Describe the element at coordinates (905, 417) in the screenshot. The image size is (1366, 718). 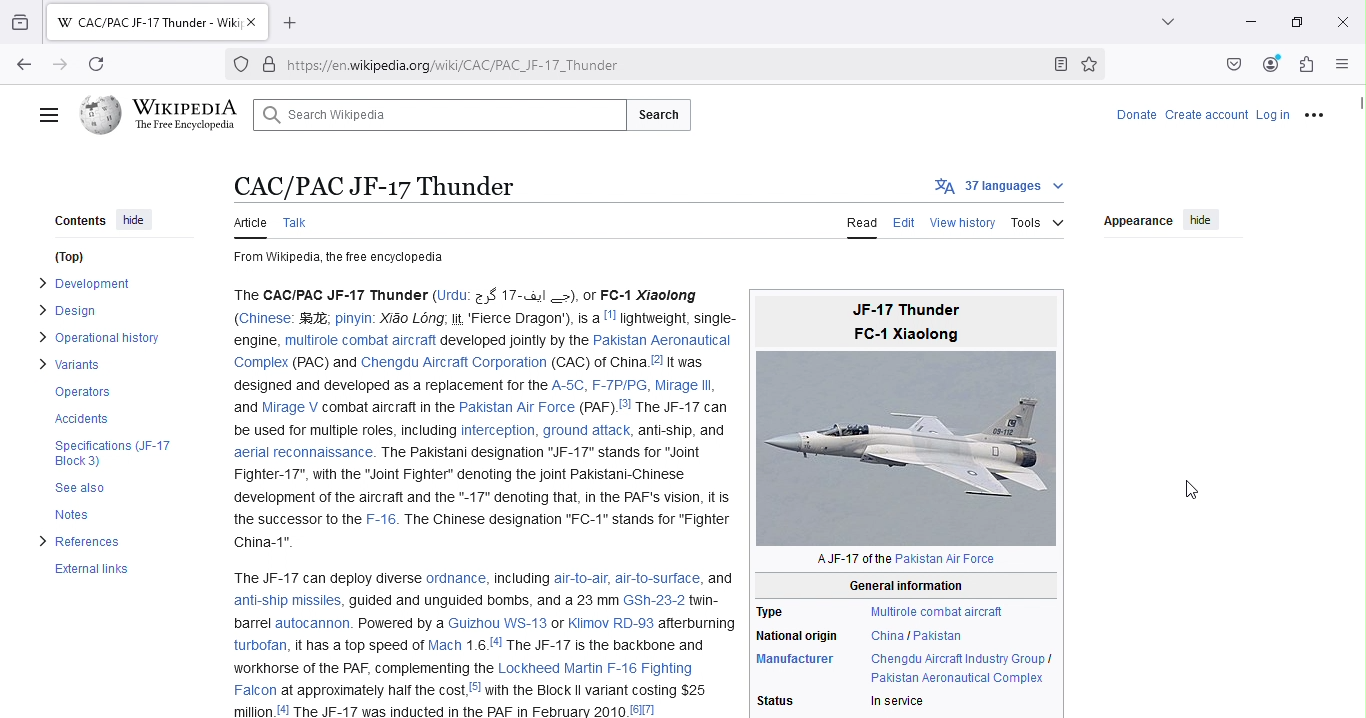
I see `image` at that location.